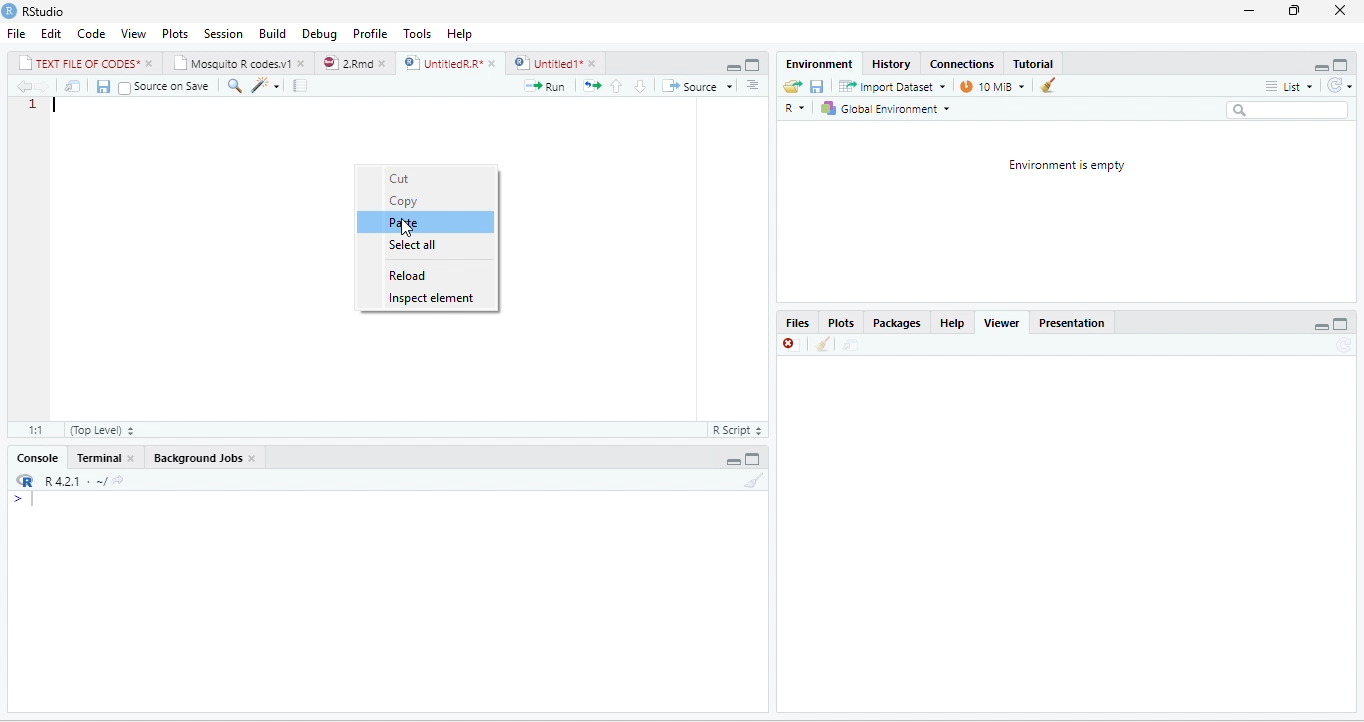 The width and height of the screenshot is (1364, 722). What do you see at coordinates (101, 85) in the screenshot?
I see `save` at bounding box center [101, 85].